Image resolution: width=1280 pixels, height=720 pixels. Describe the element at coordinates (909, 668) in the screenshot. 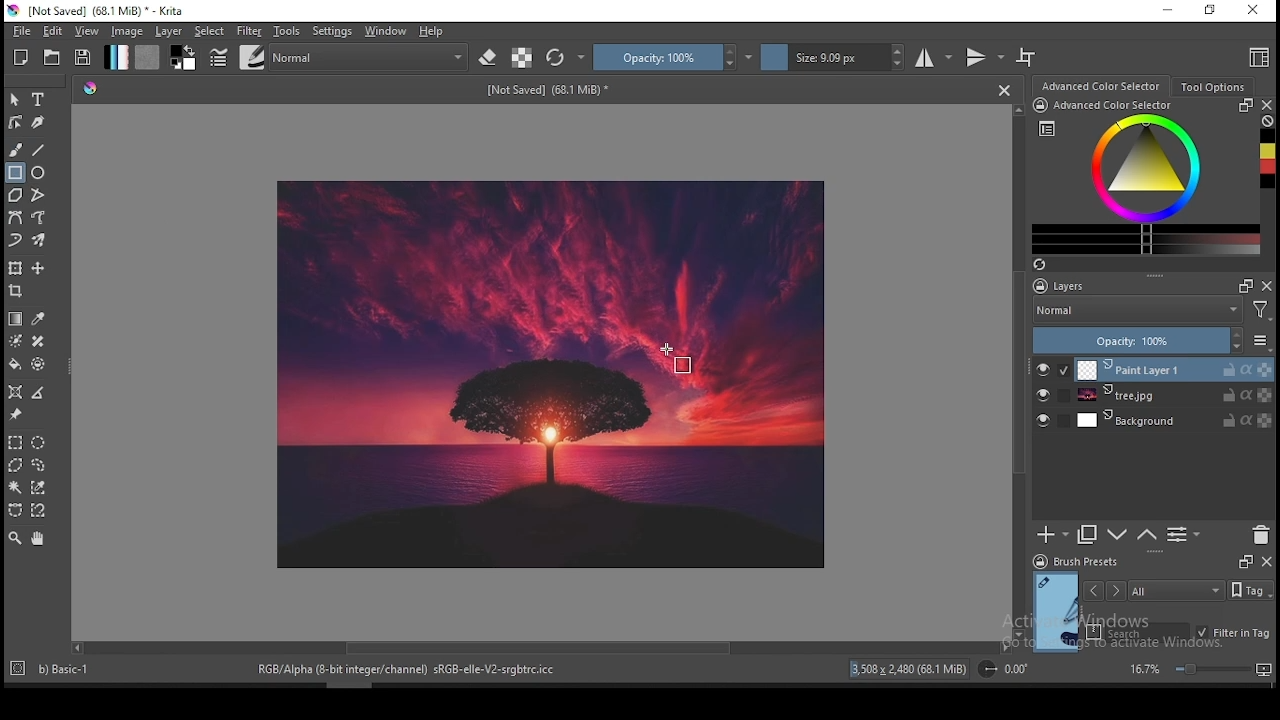

I see `13,508 x 2,480 (68.1 MiB)` at that location.